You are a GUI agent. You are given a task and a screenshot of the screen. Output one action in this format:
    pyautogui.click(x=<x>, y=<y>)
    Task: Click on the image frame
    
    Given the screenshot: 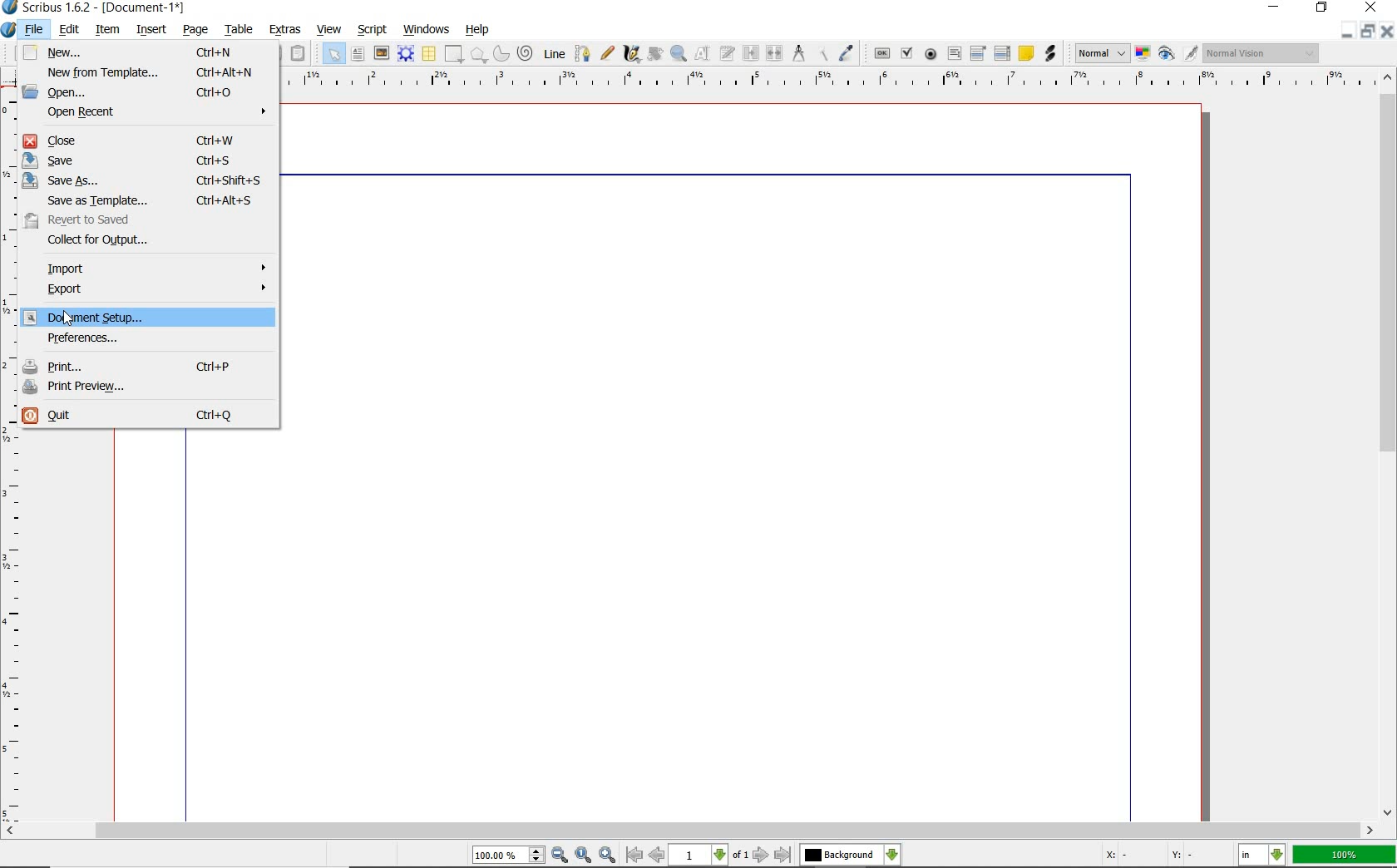 What is the action you would take?
    pyautogui.click(x=382, y=52)
    